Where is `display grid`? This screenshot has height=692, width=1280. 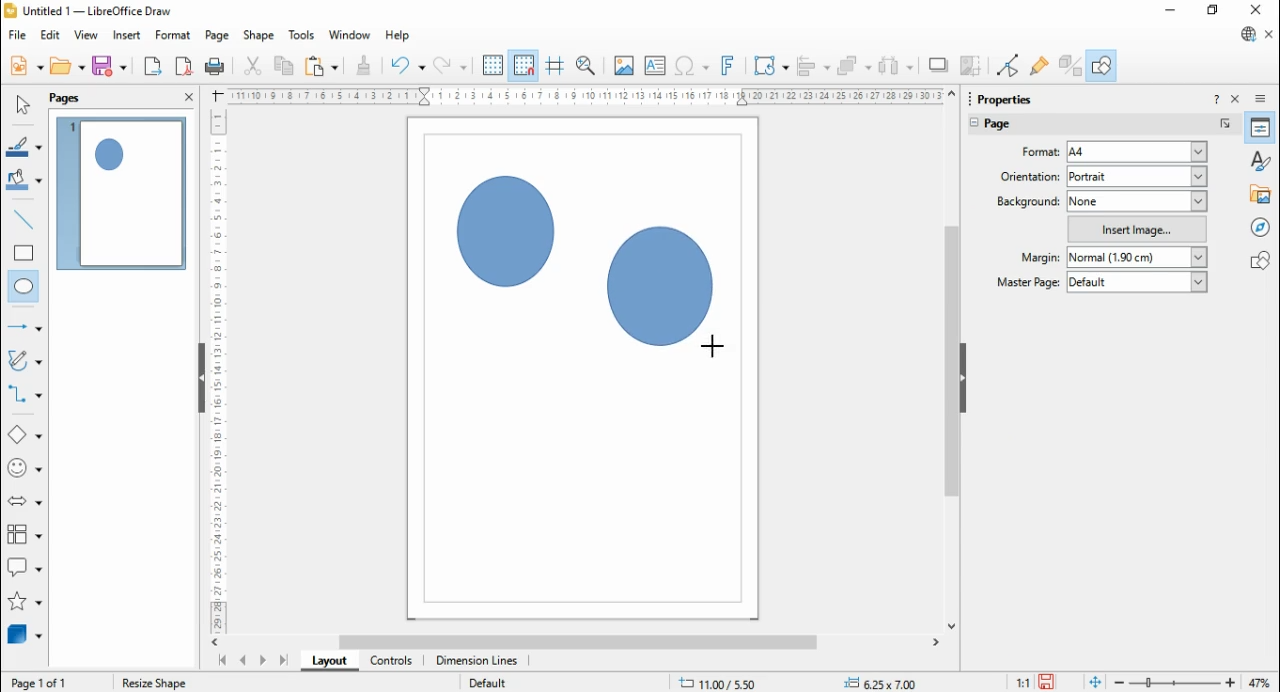
display grid is located at coordinates (492, 66).